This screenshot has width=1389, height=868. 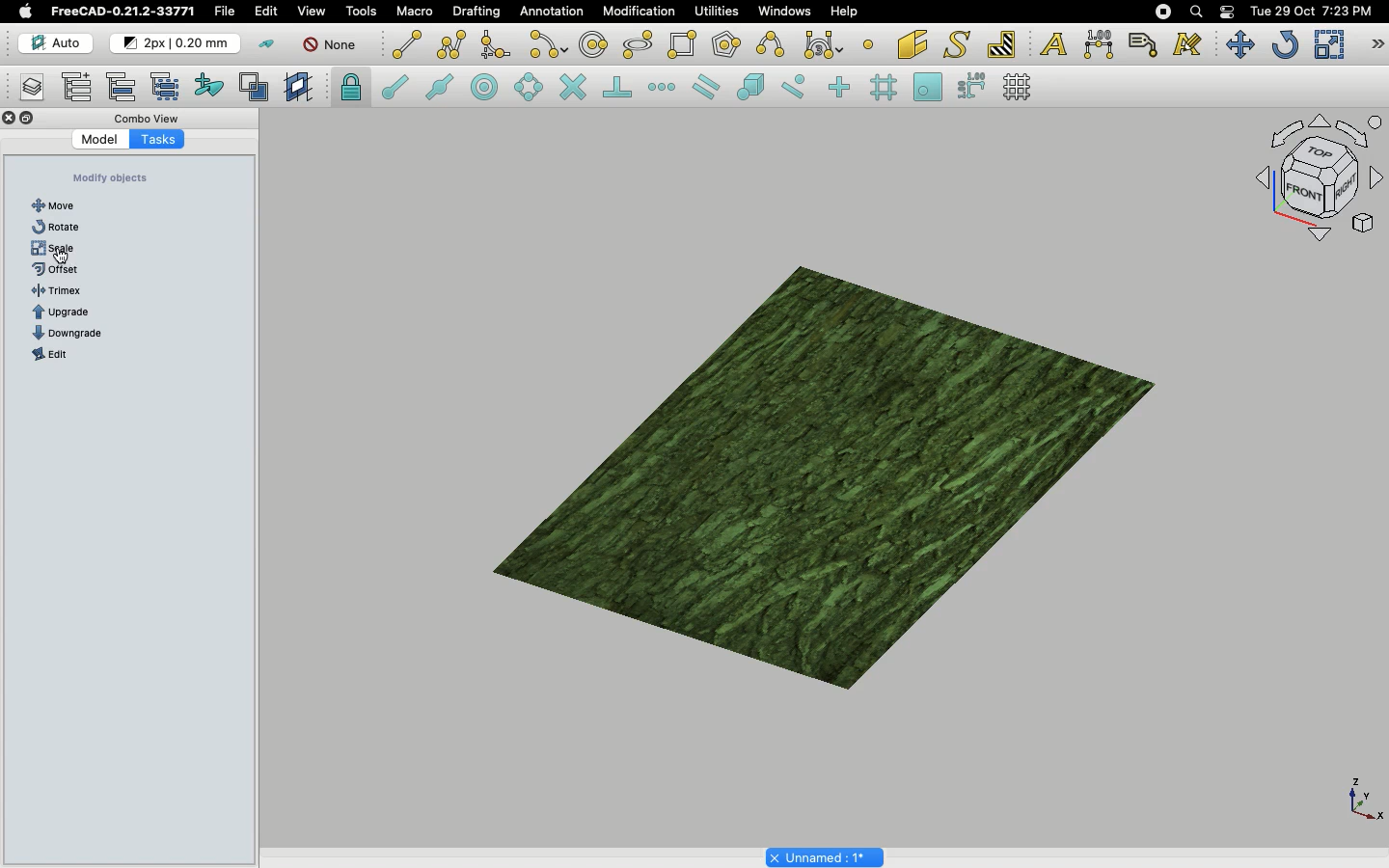 I want to click on Hatch, so click(x=1003, y=42).